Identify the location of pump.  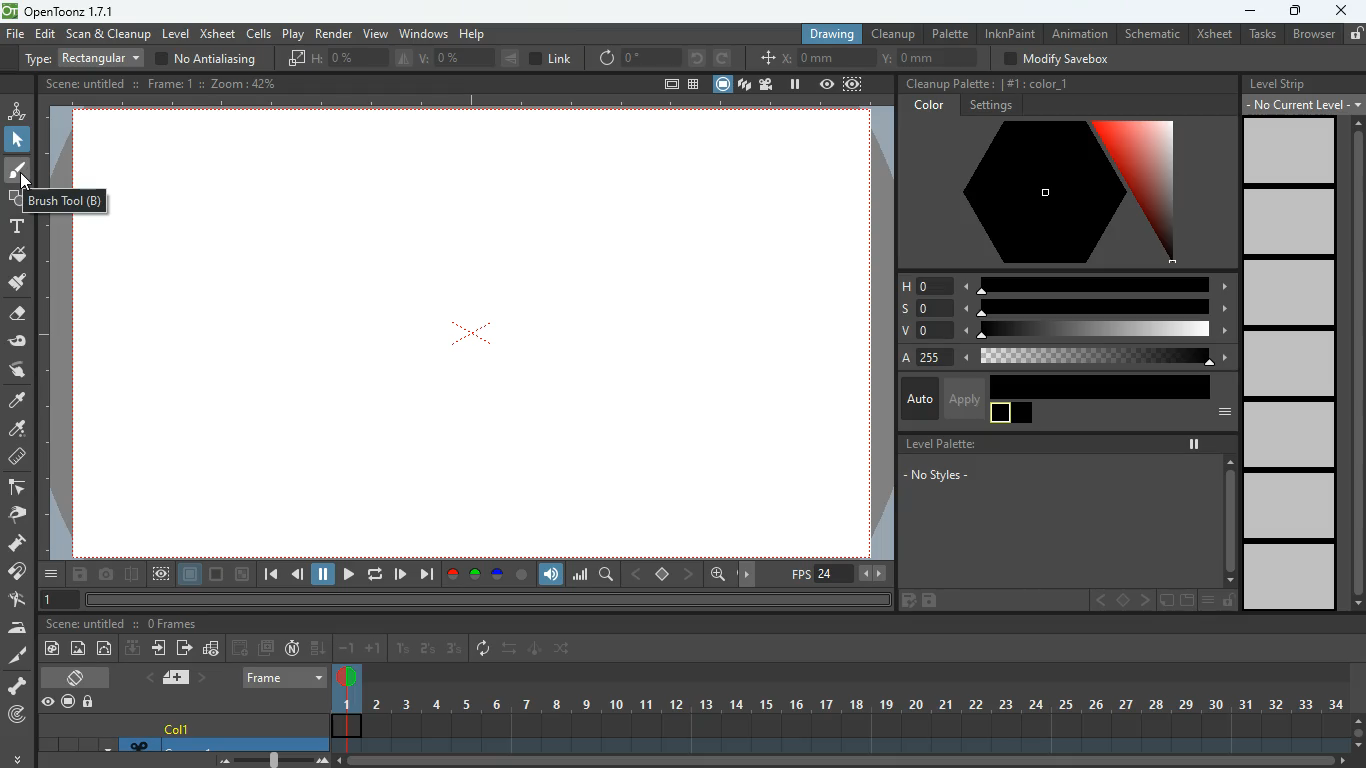
(17, 544).